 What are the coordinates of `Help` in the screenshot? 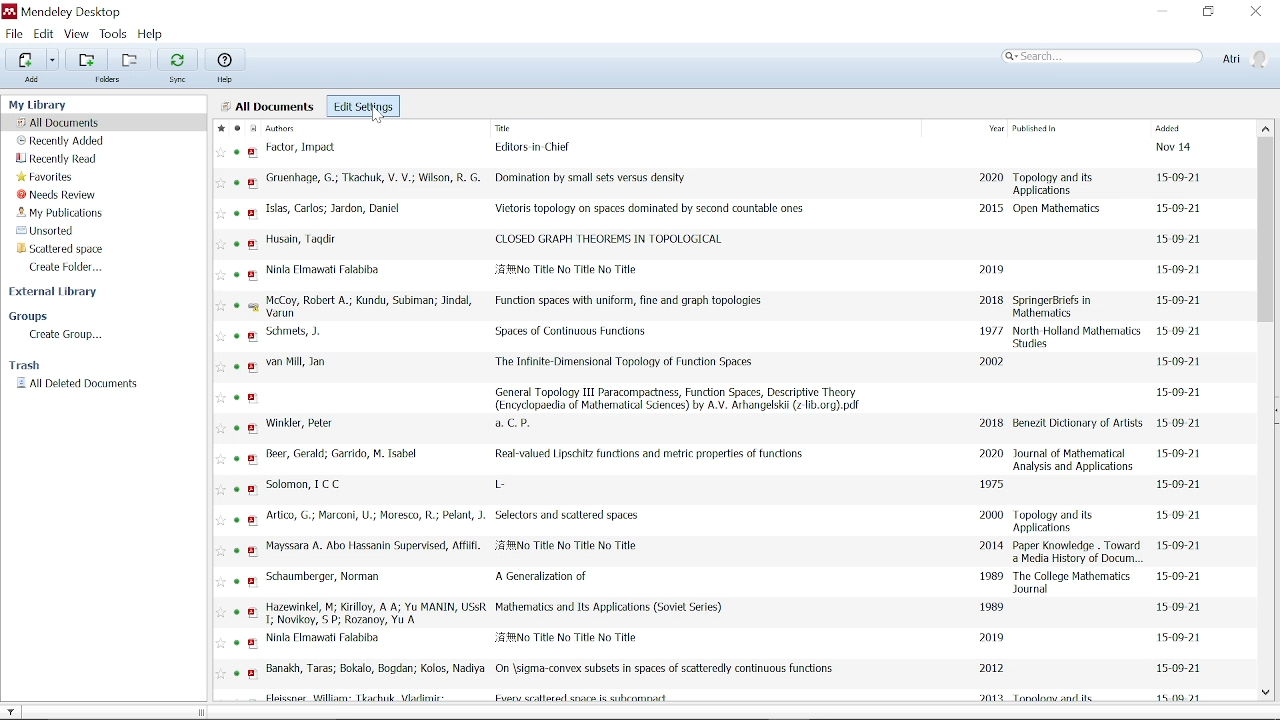 It's located at (158, 35).